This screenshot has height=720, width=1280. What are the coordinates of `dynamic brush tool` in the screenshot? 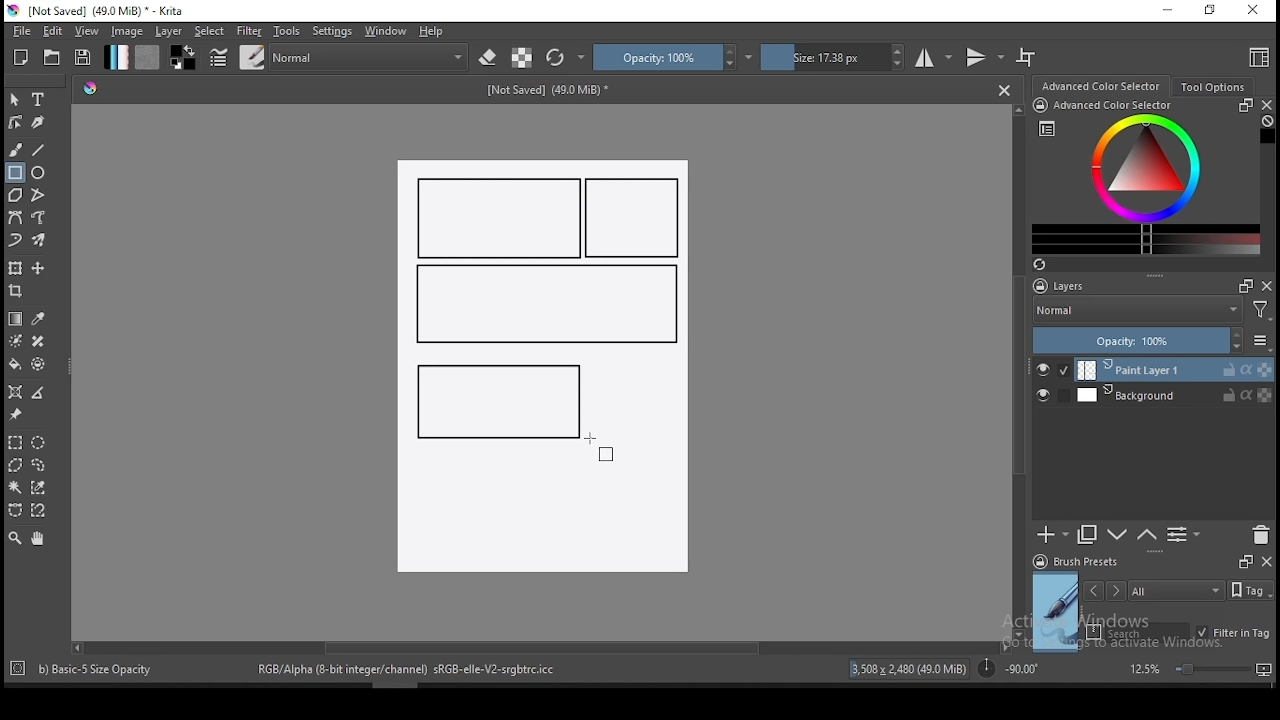 It's located at (15, 241).